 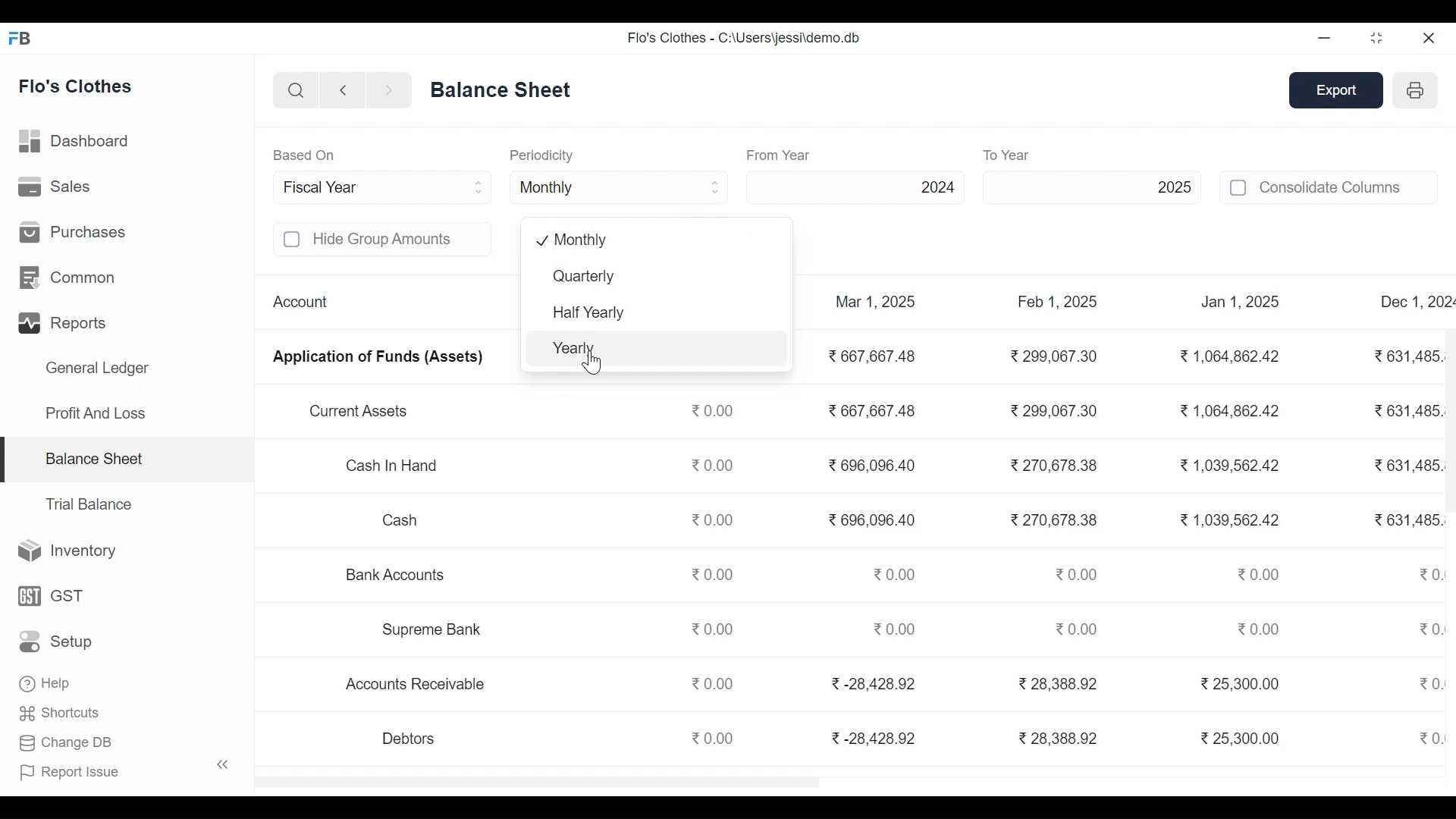 I want to click on Export, so click(x=1338, y=91).